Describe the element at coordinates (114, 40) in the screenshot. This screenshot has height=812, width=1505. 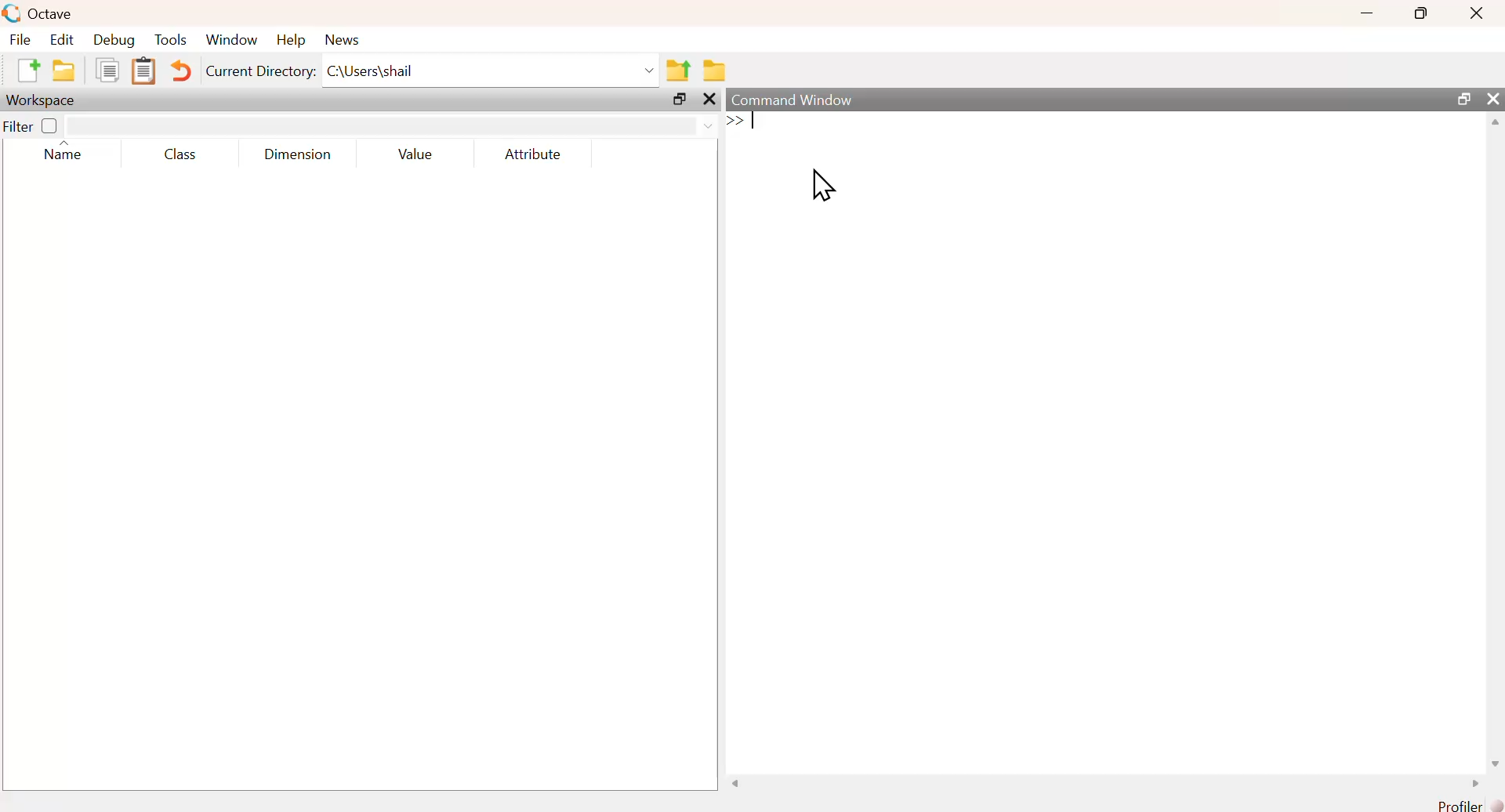
I see `Debug` at that location.